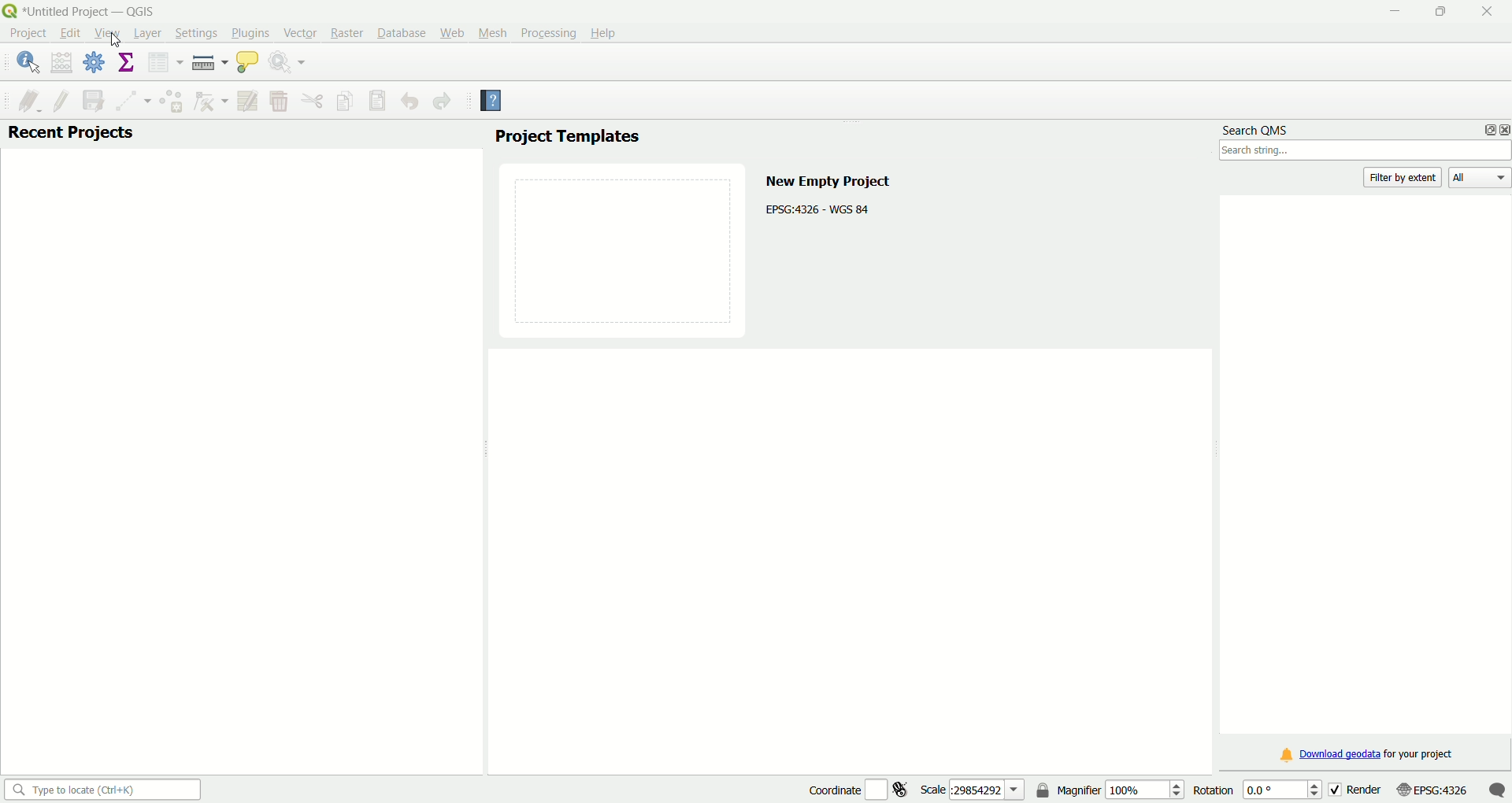 The width and height of the screenshot is (1512, 803). What do you see at coordinates (1440, 13) in the screenshot?
I see `Maximize` at bounding box center [1440, 13].